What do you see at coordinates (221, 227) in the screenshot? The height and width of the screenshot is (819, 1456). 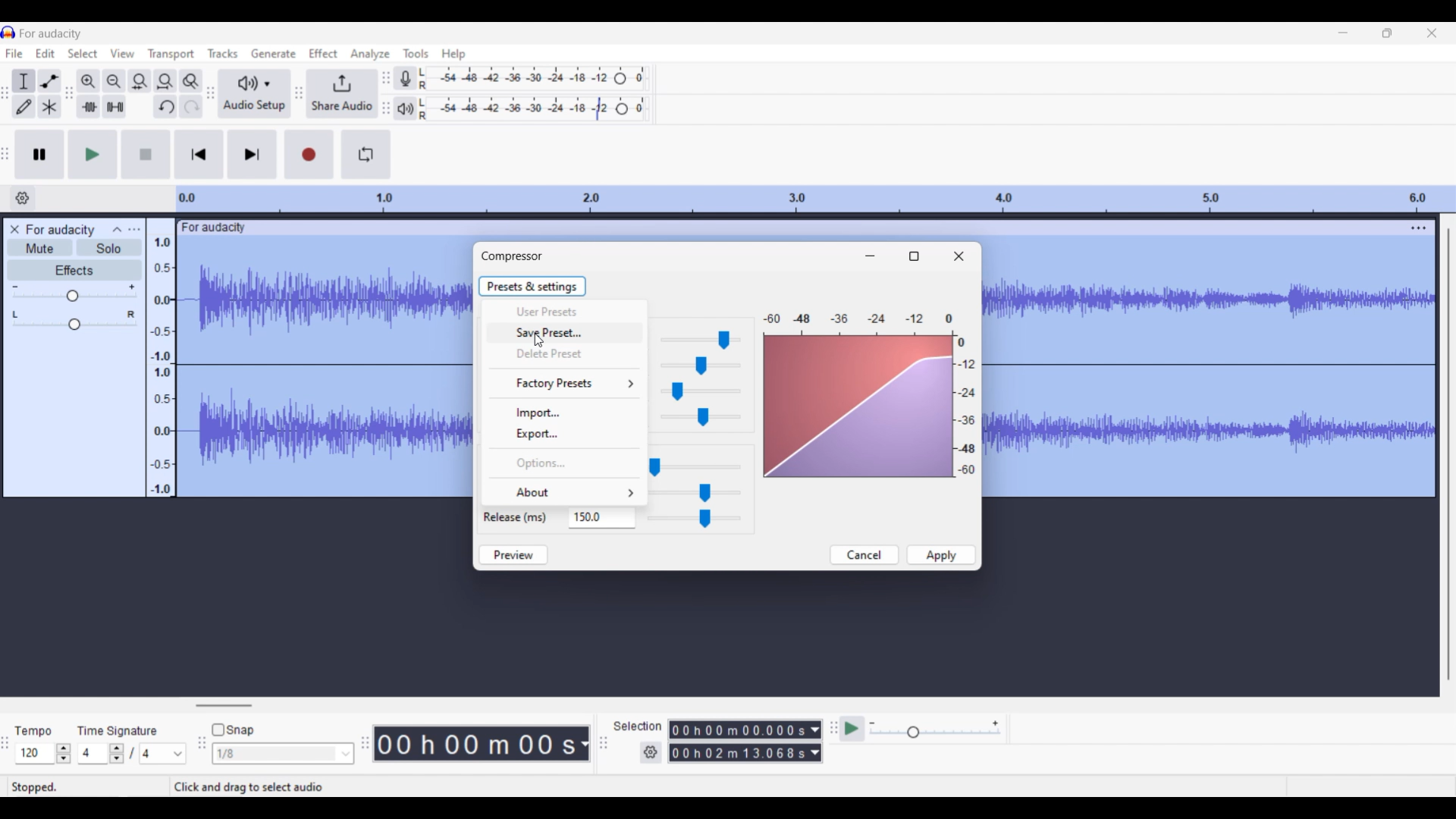 I see `for audacity` at bounding box center [221, 227].